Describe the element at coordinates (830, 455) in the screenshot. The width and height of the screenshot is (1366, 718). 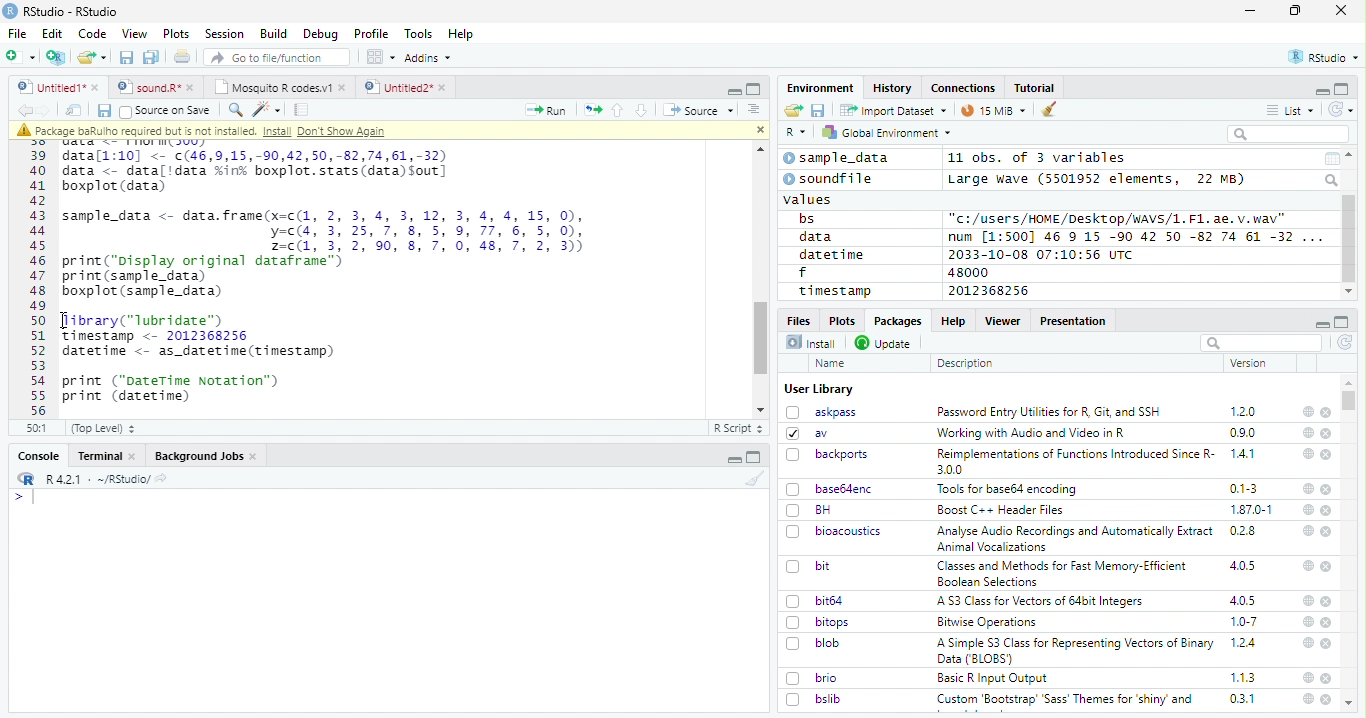
I see `backports` at that location.